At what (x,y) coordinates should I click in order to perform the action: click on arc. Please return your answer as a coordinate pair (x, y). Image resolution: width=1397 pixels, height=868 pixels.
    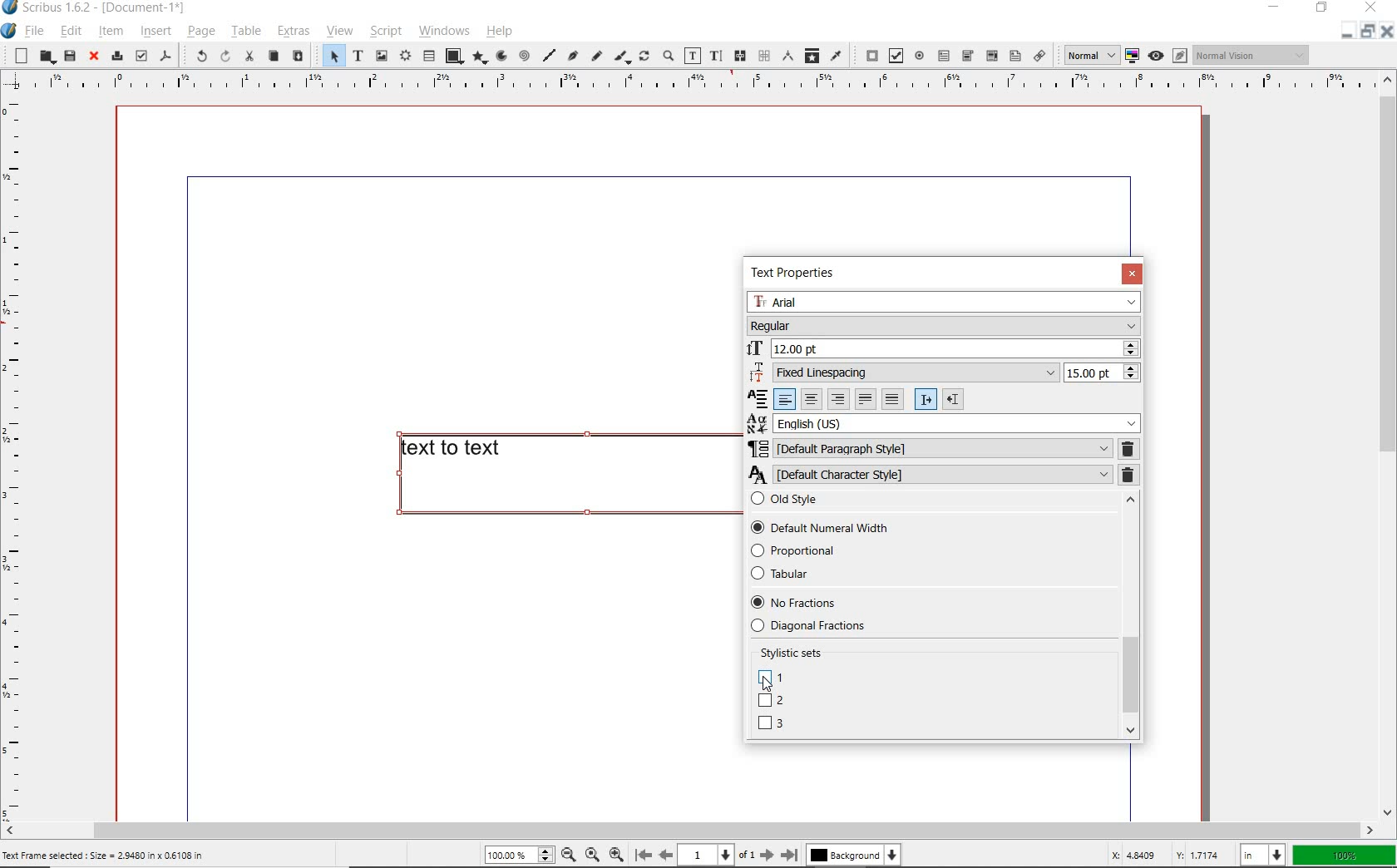
    Looking at the image, I should click on (500, 57).